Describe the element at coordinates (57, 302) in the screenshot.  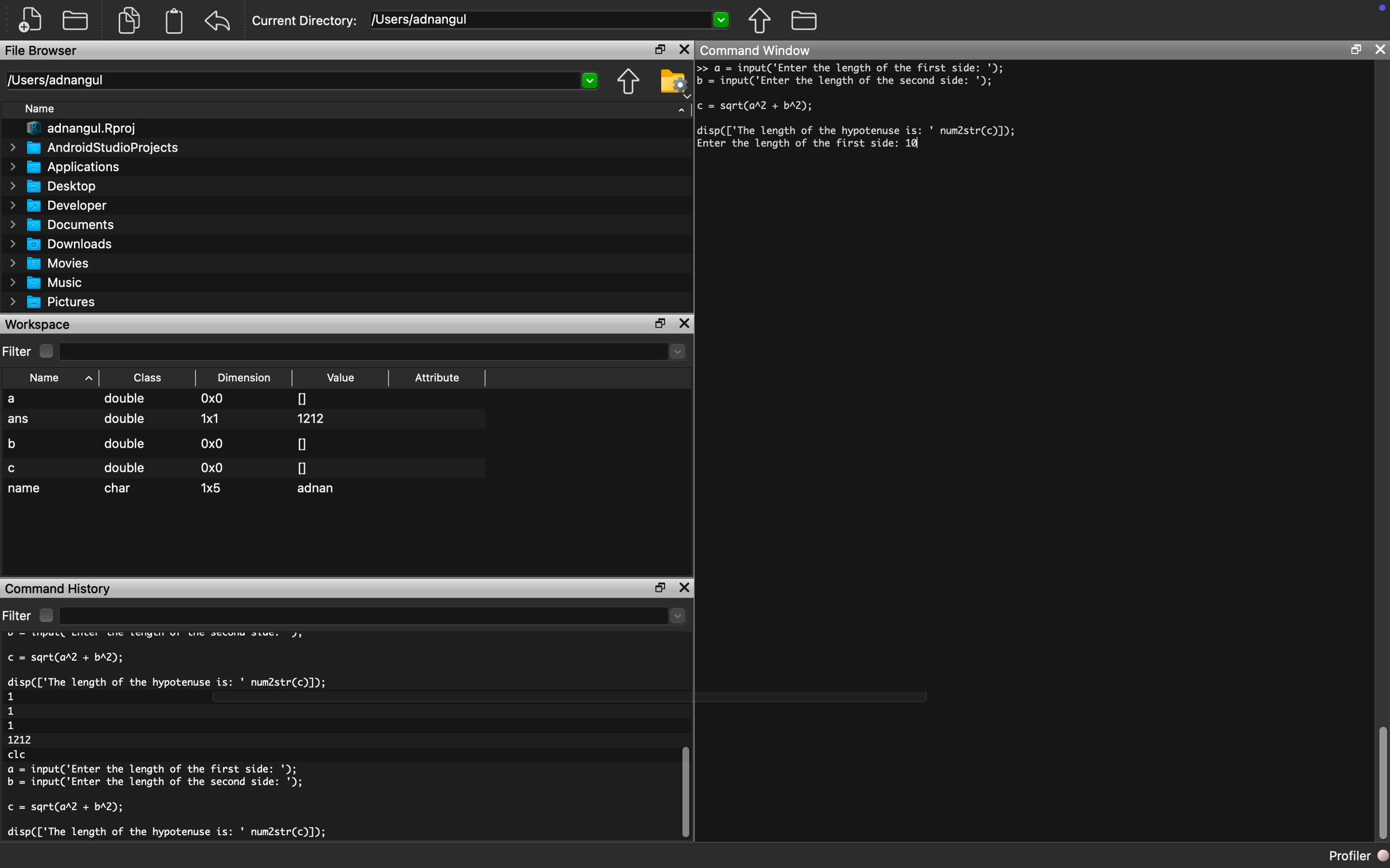
I see ` Pictures` at that location.